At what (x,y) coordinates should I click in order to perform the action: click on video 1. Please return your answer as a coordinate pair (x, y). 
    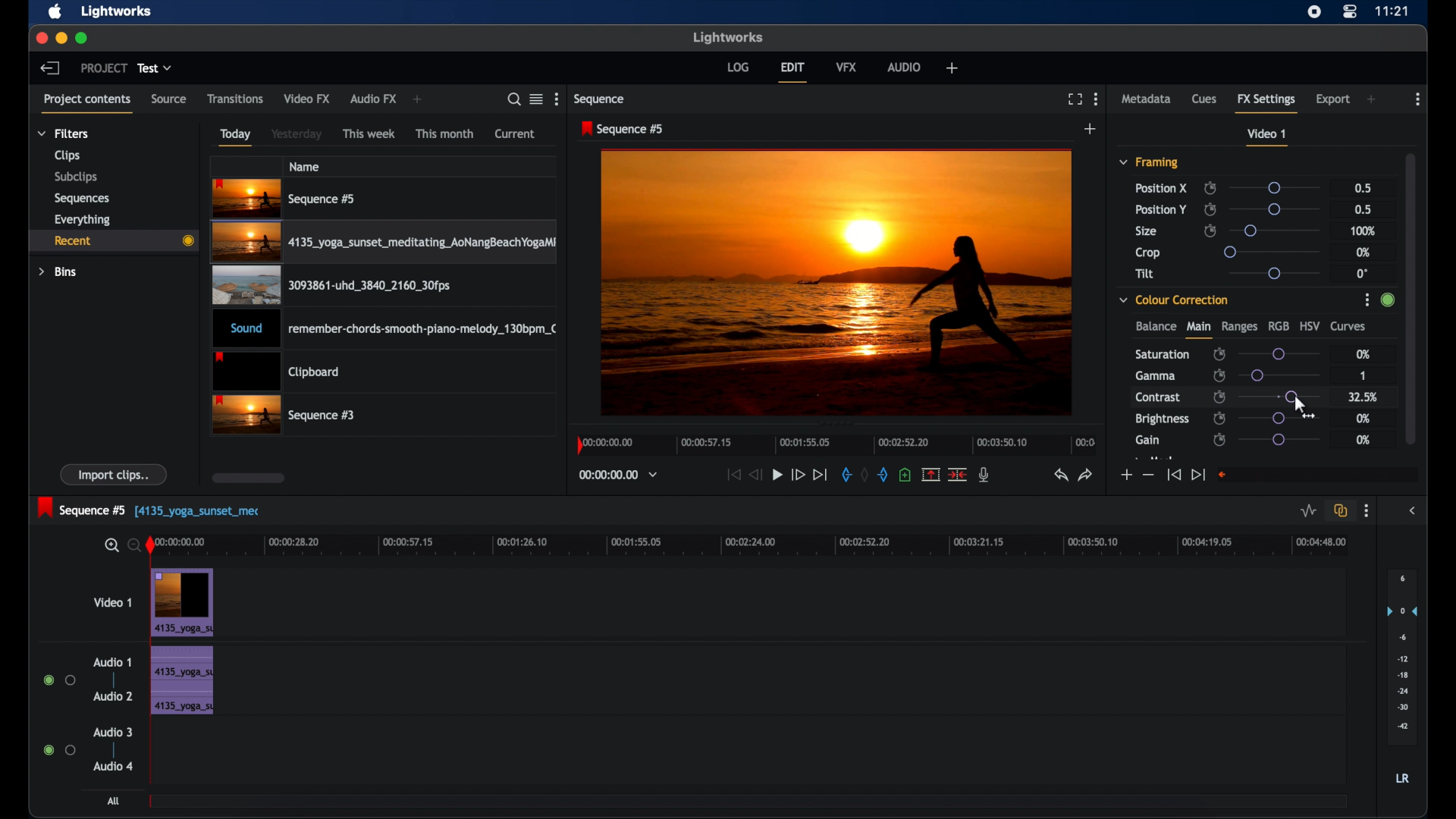
    Looking at the image, I should click on (114, 602).